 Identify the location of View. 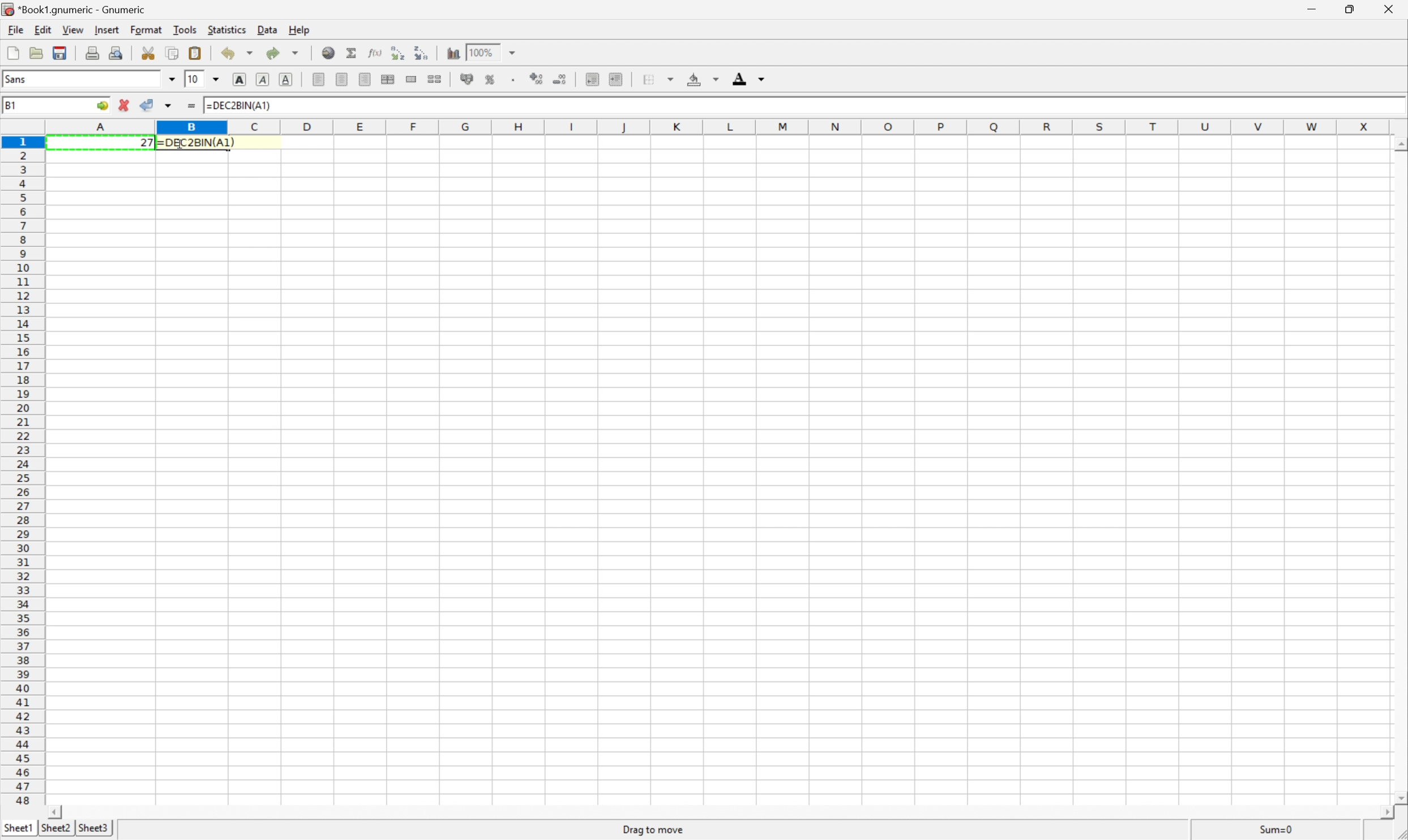
(73, 29).